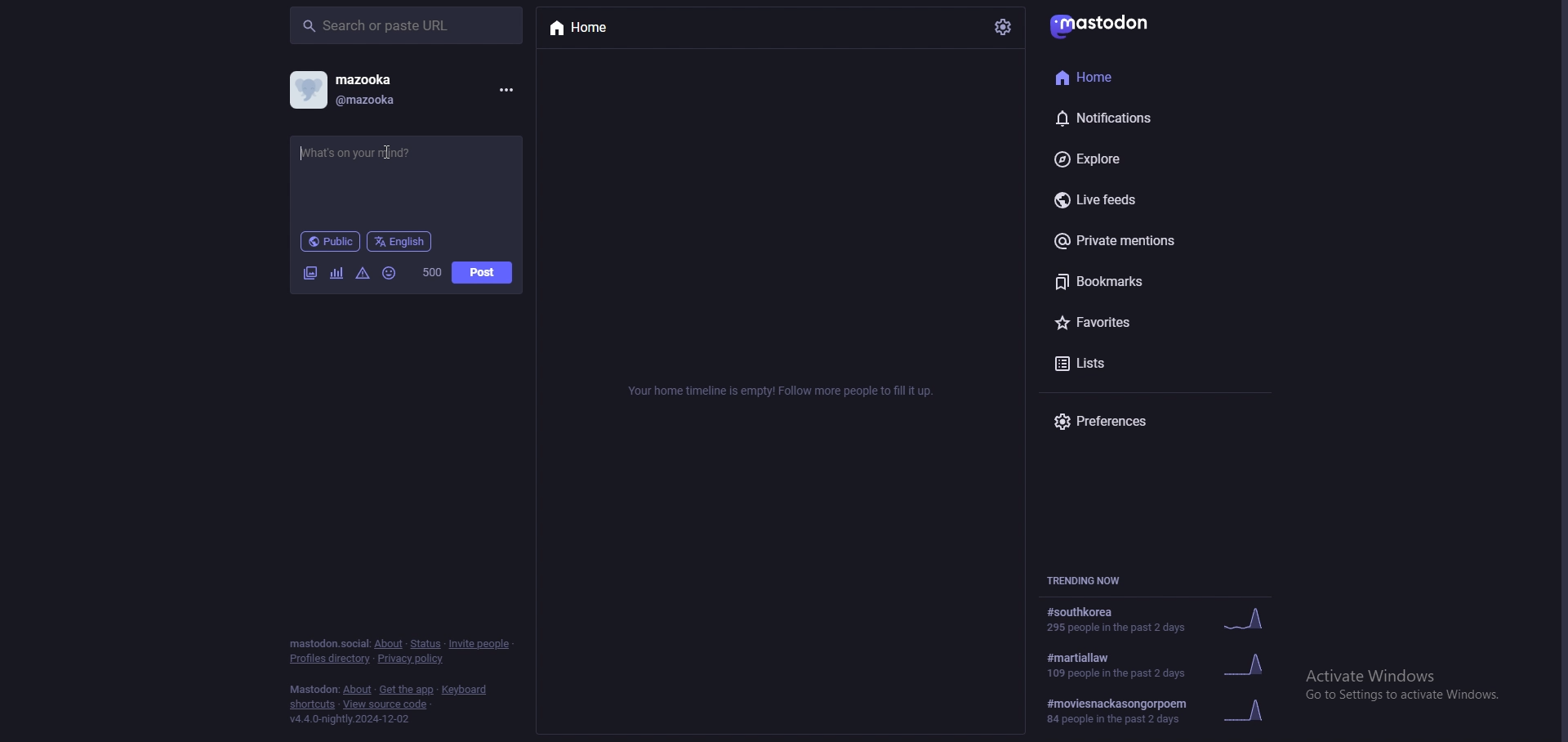 The width and height of the screenshot is (1568, 742). Describe the element at coordinates (1133, 364) in the screenshot. I see `lists` at that location.